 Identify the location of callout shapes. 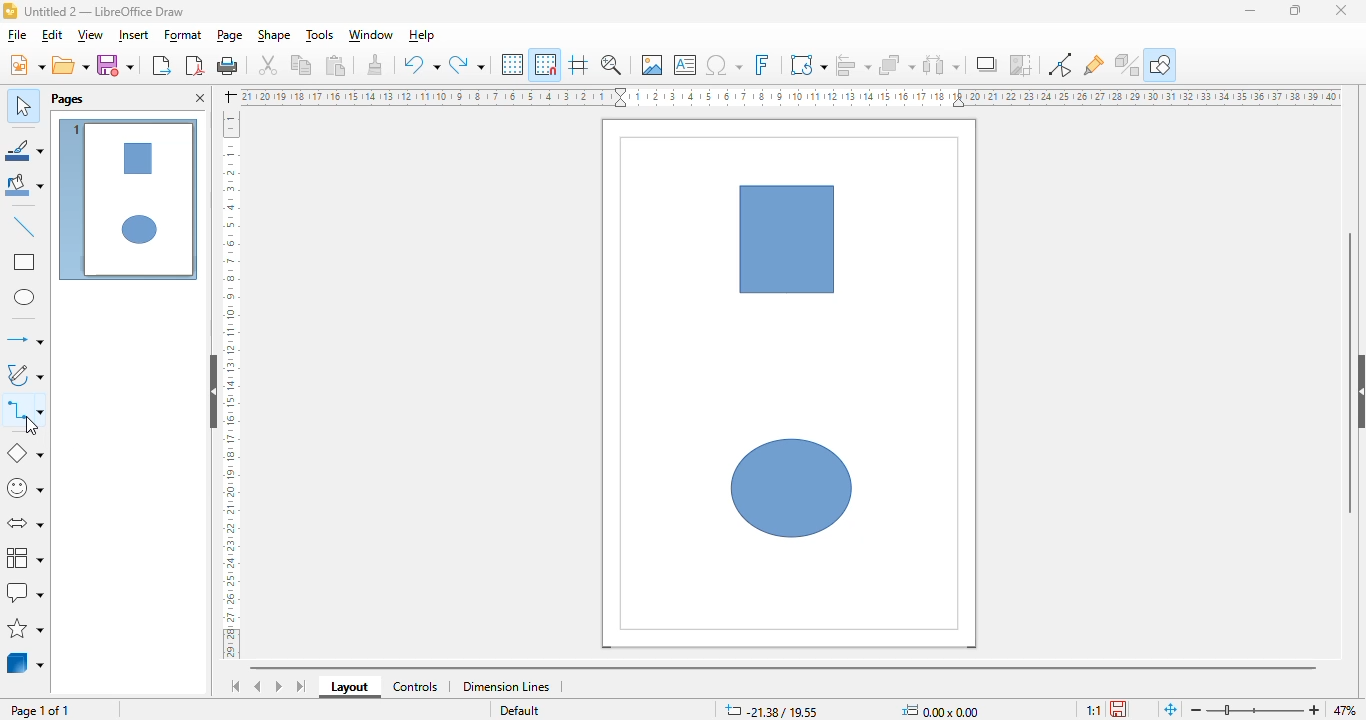
(26, 592).